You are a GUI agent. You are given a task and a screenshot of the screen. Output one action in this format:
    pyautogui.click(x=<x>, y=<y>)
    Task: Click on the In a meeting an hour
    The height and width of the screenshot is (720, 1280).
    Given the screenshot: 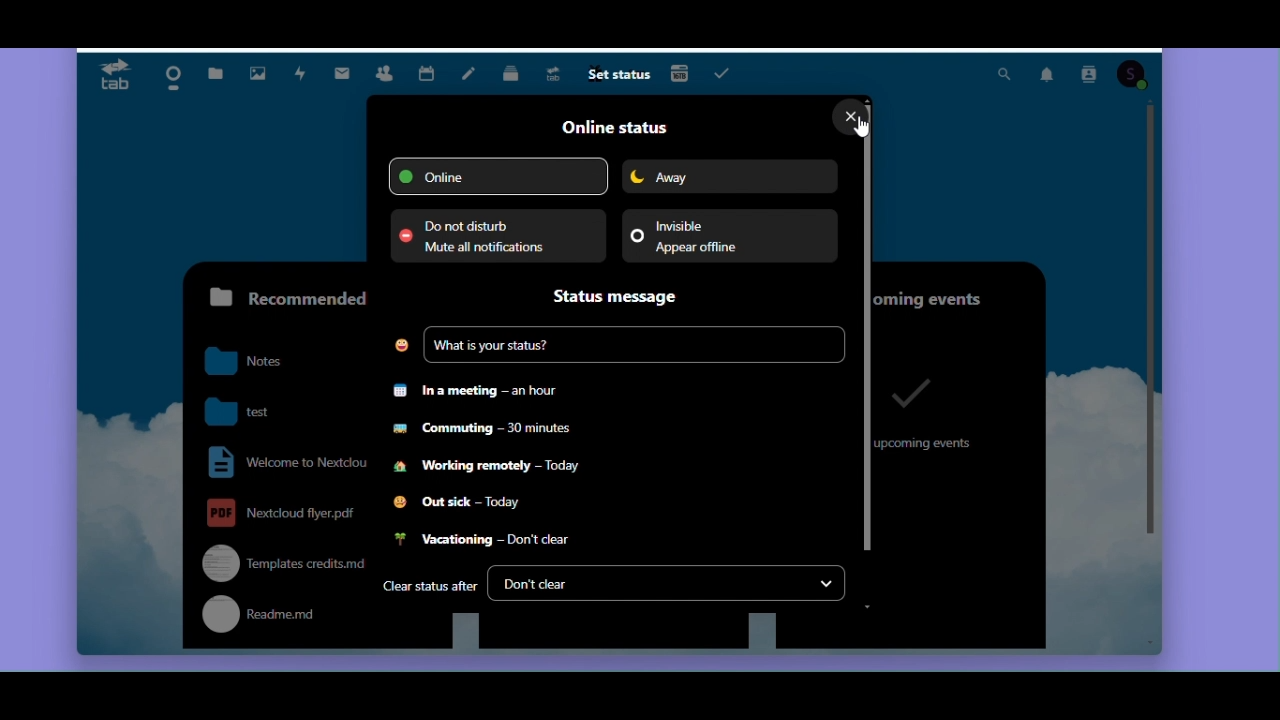 What is the action you would take?
    pyautogui.click(x=479, y=391)
    